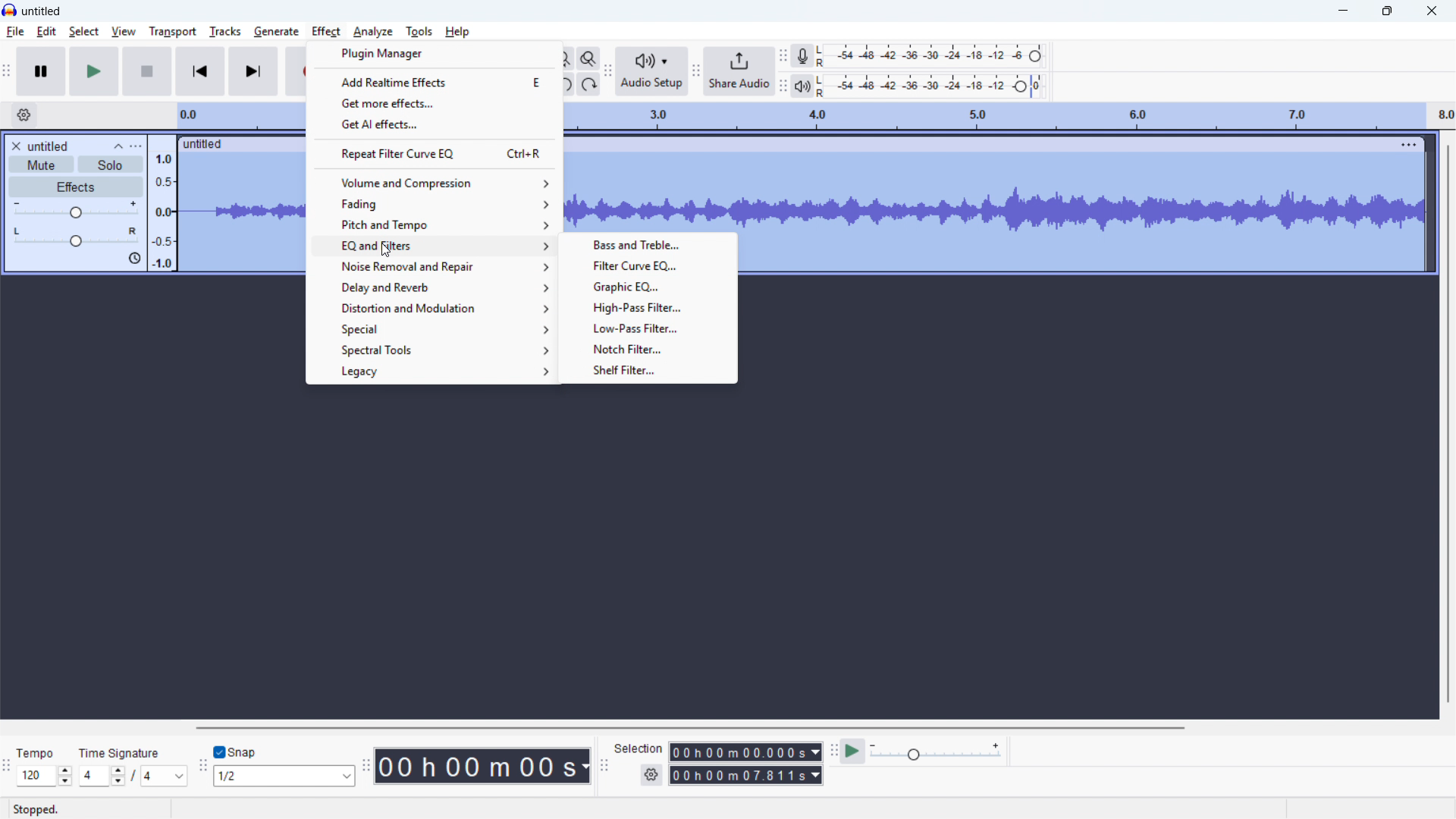 The height and width of the screenshot is (819, 1456). Describe the element at coordinates (434, 307) in the screenshot. I see `Distortion and modulation ` at that location.